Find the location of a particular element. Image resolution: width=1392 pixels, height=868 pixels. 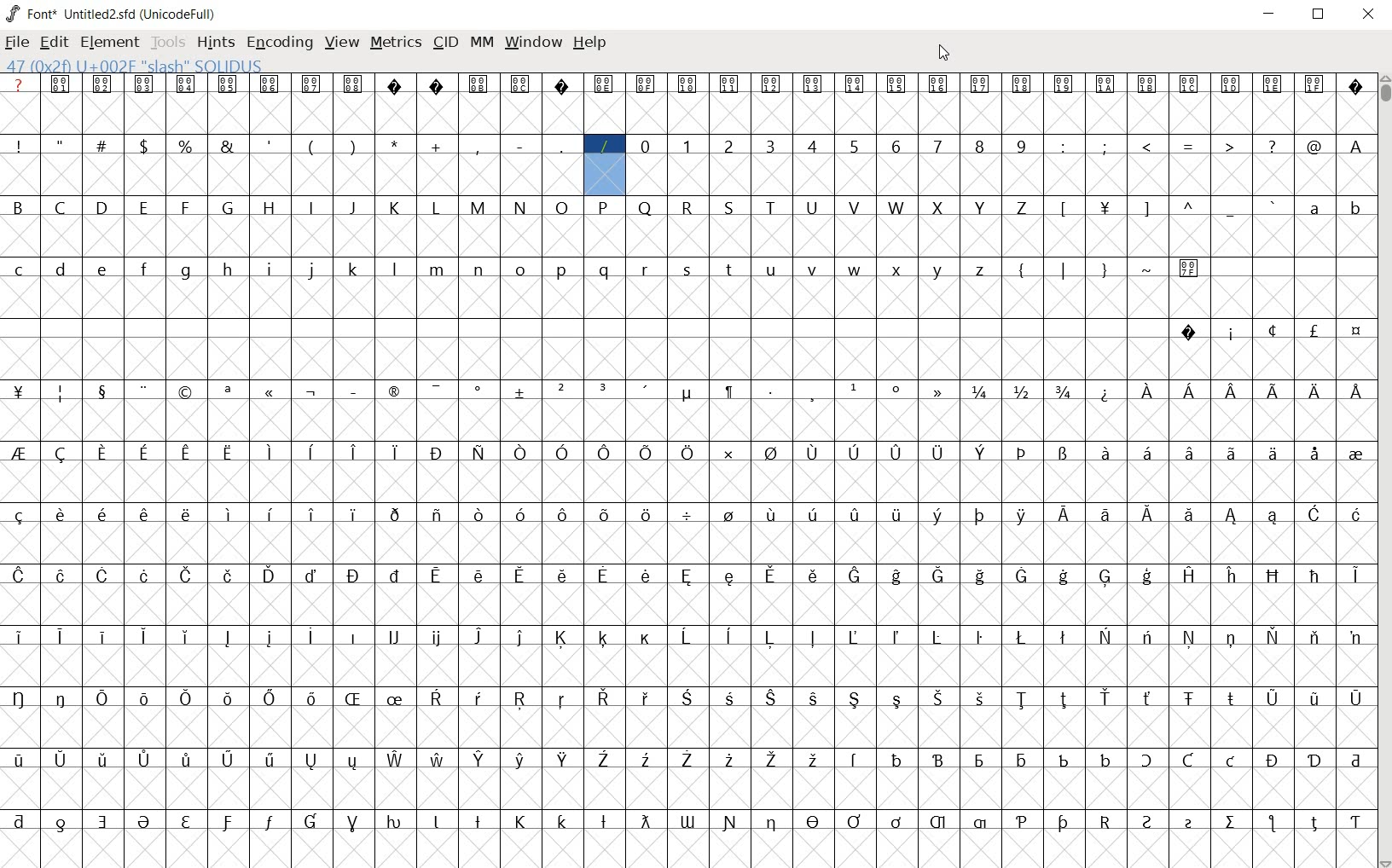

glyph is located at coordinates (1020, 272).